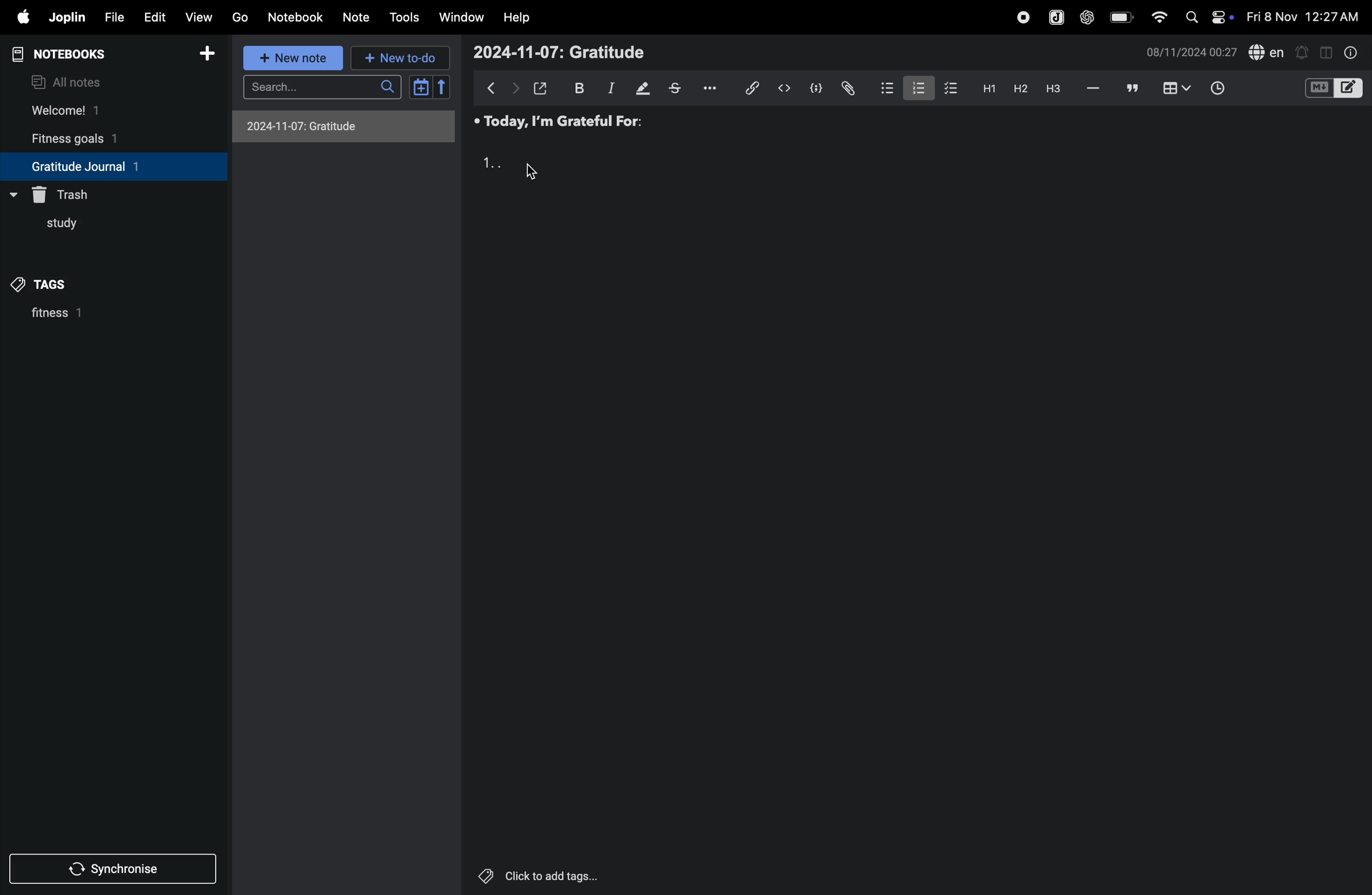  I want to click on joplin, so click(67, 16).